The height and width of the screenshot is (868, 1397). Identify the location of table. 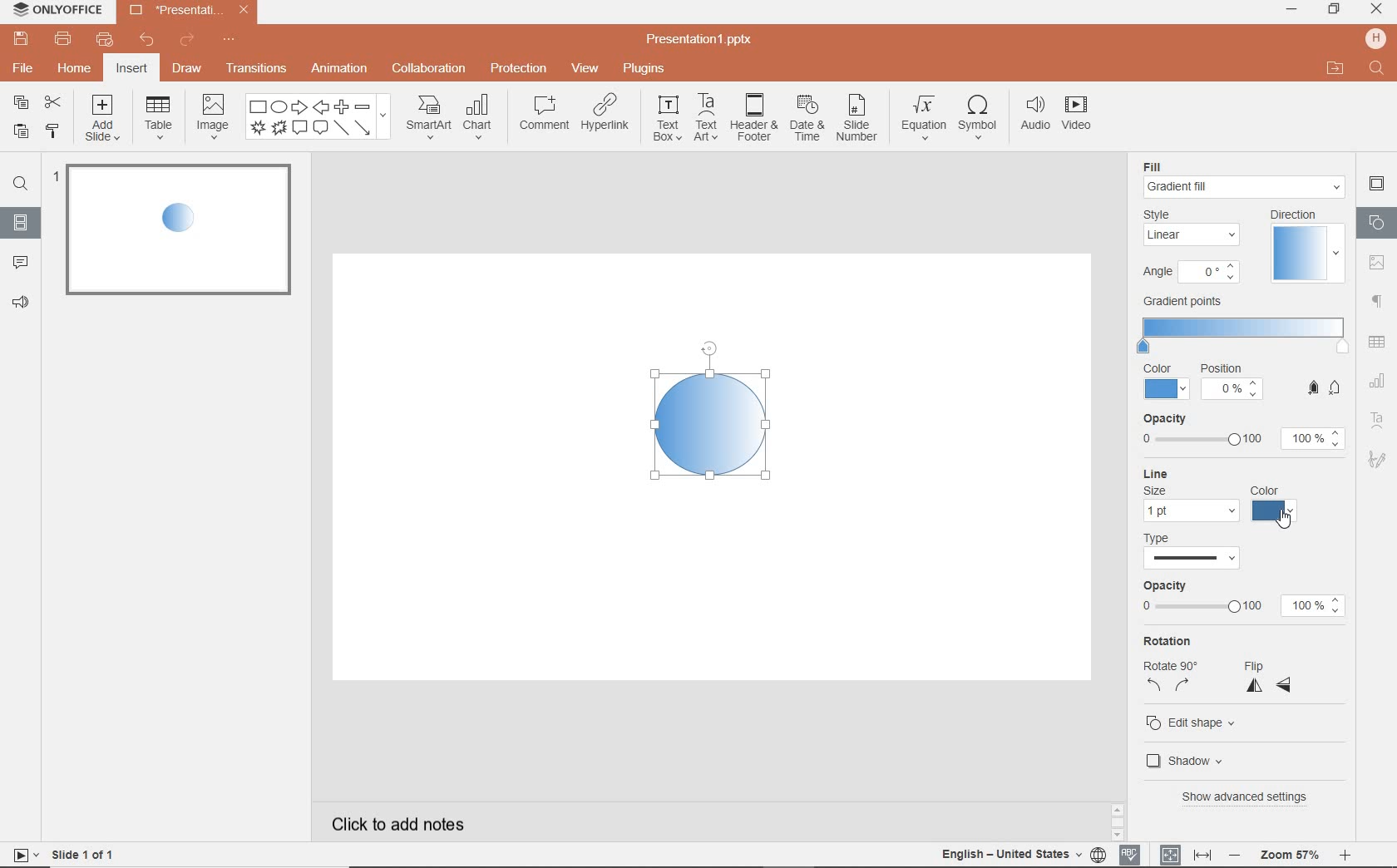
(158, 119).